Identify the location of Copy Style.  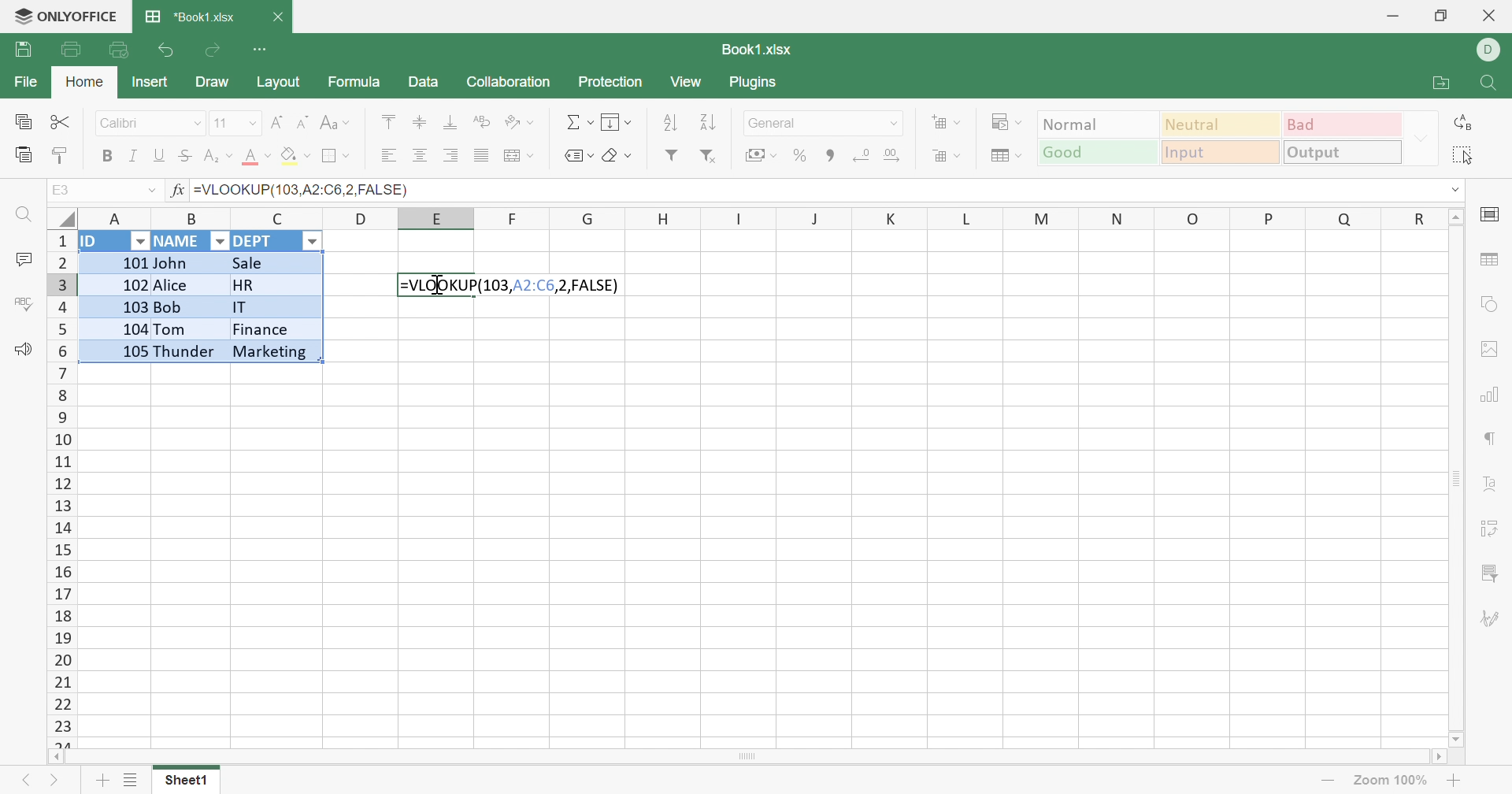
(62, 157).